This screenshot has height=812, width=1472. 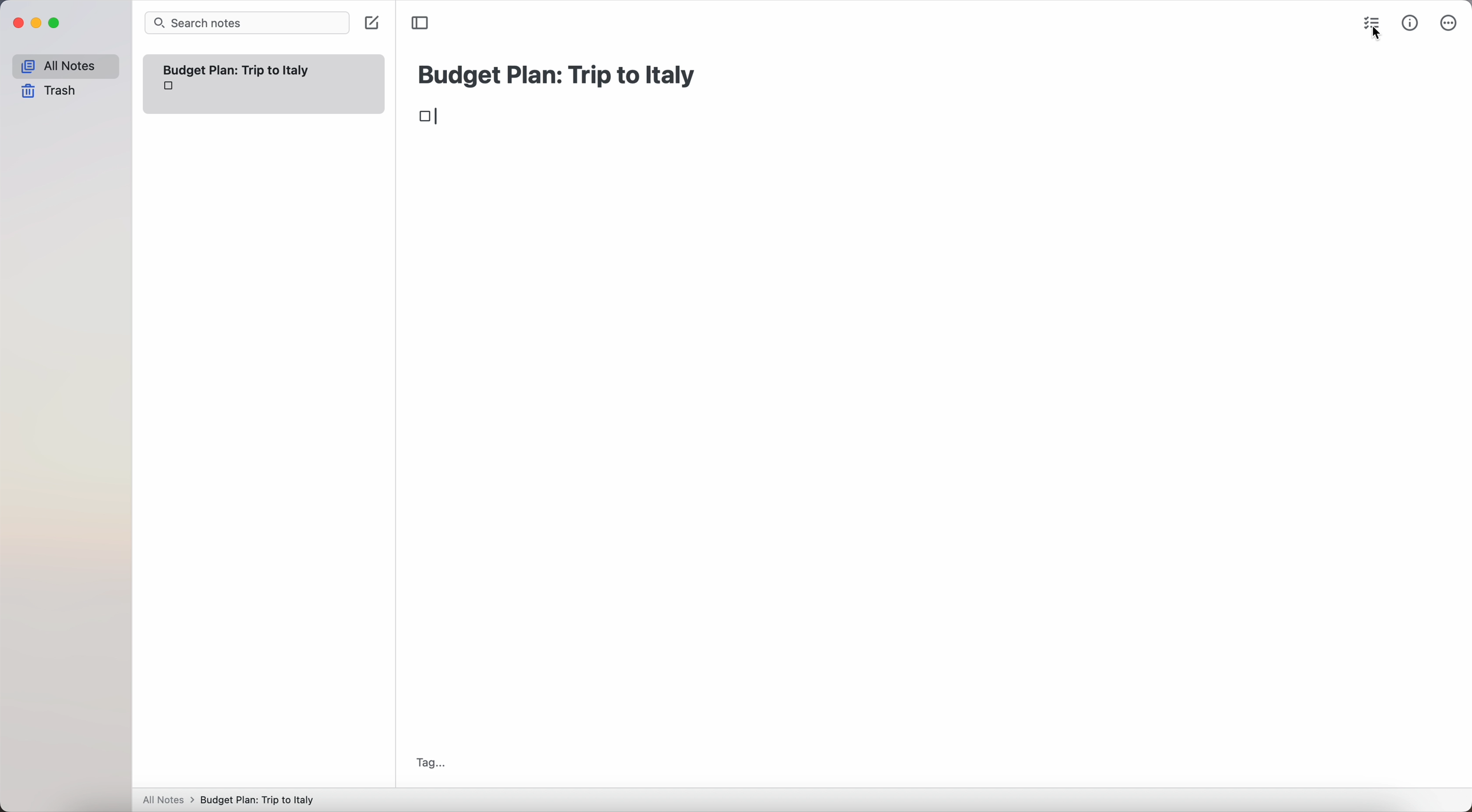 What do you see at coordinates (1449, 23) in the screenshot?
I see `more options` at bounding box center [1449, 23].